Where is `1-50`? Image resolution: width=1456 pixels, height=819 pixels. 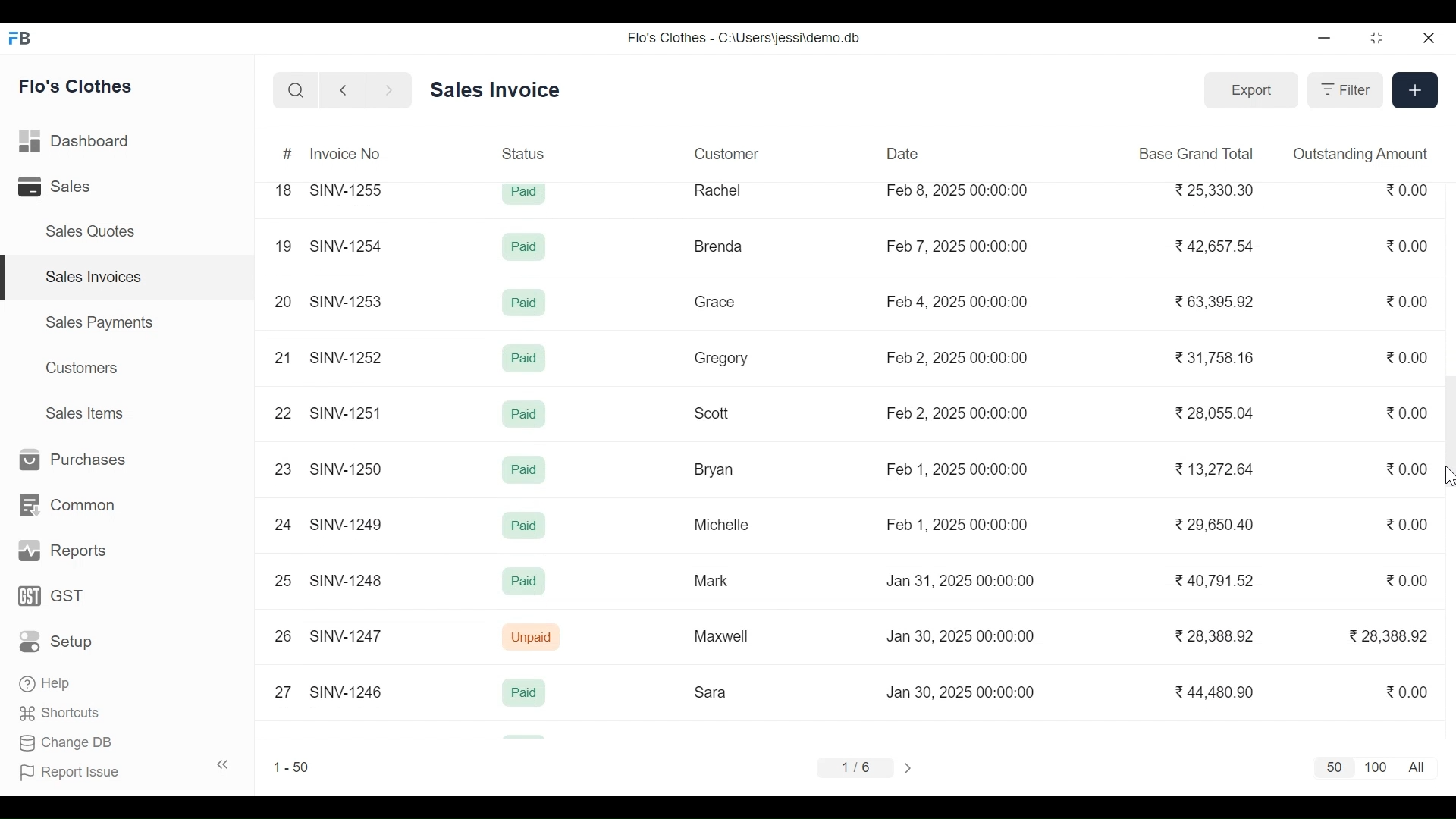 1-50 is located at coordinates (291, 767).